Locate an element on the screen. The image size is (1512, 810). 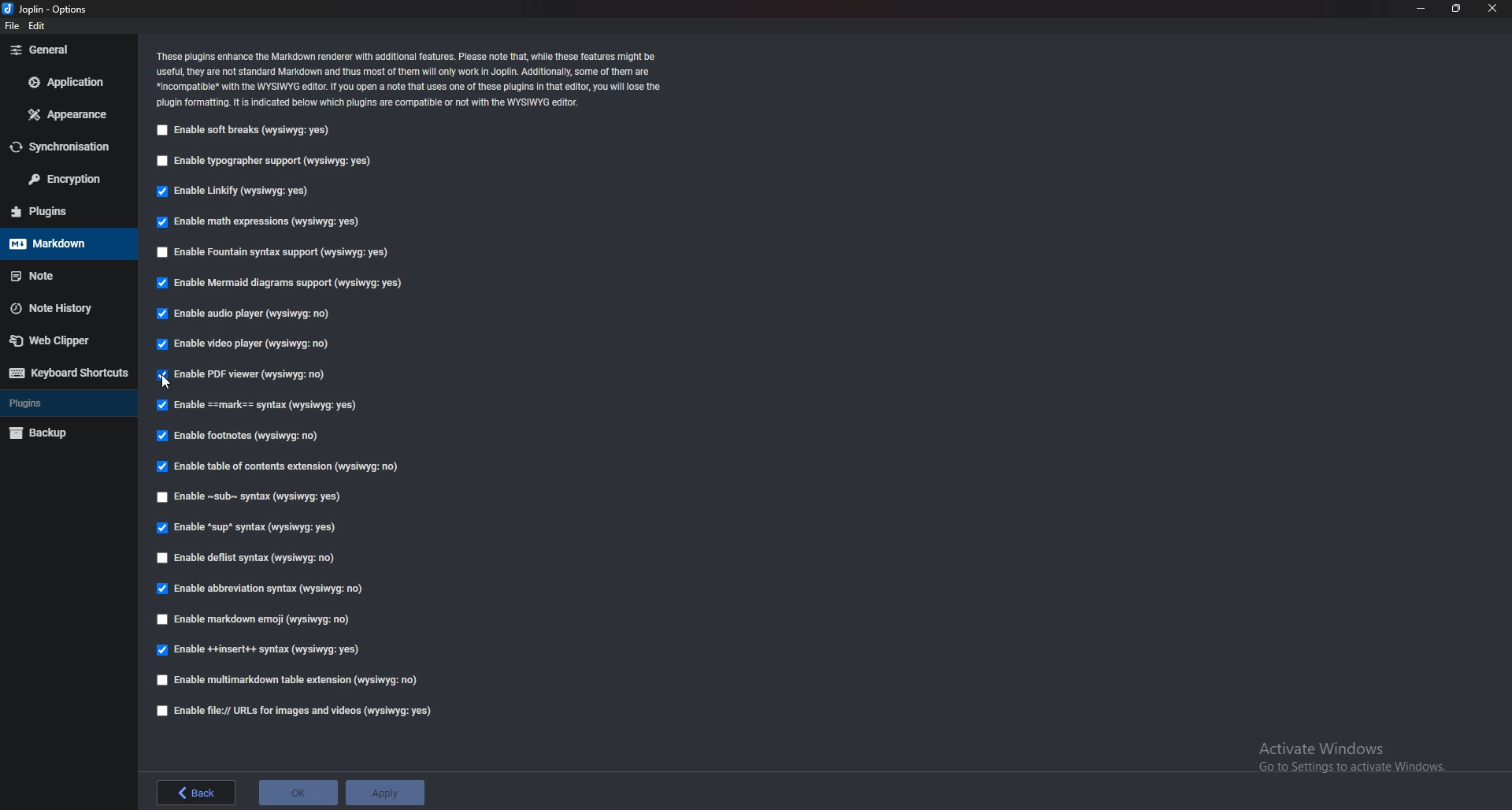
Plugins is located at coordinates (61, 405).